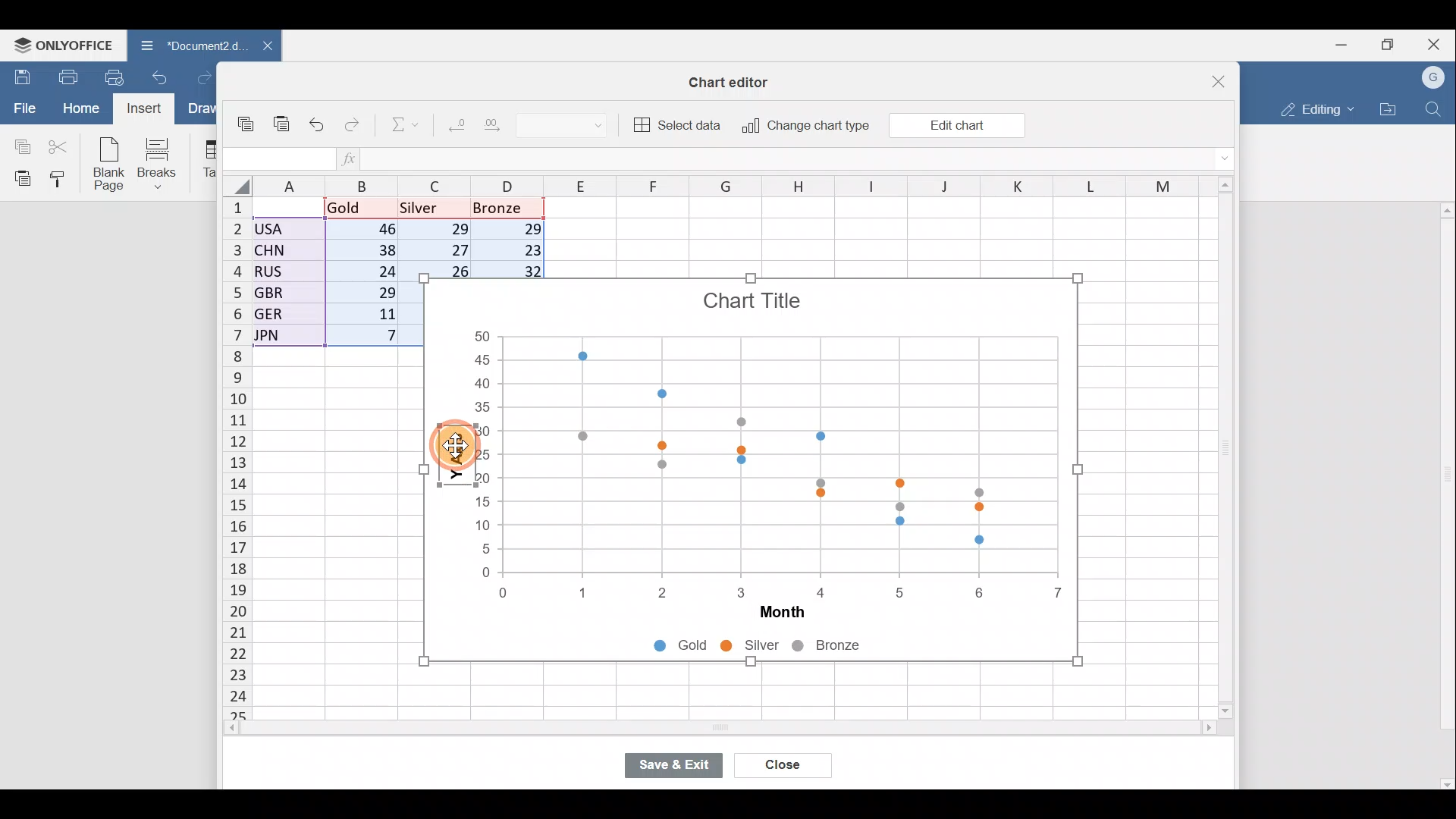  What do you see at coordinates (247, 118) in the screenshot?
I see `Copy` at bounding box center [247, 118].